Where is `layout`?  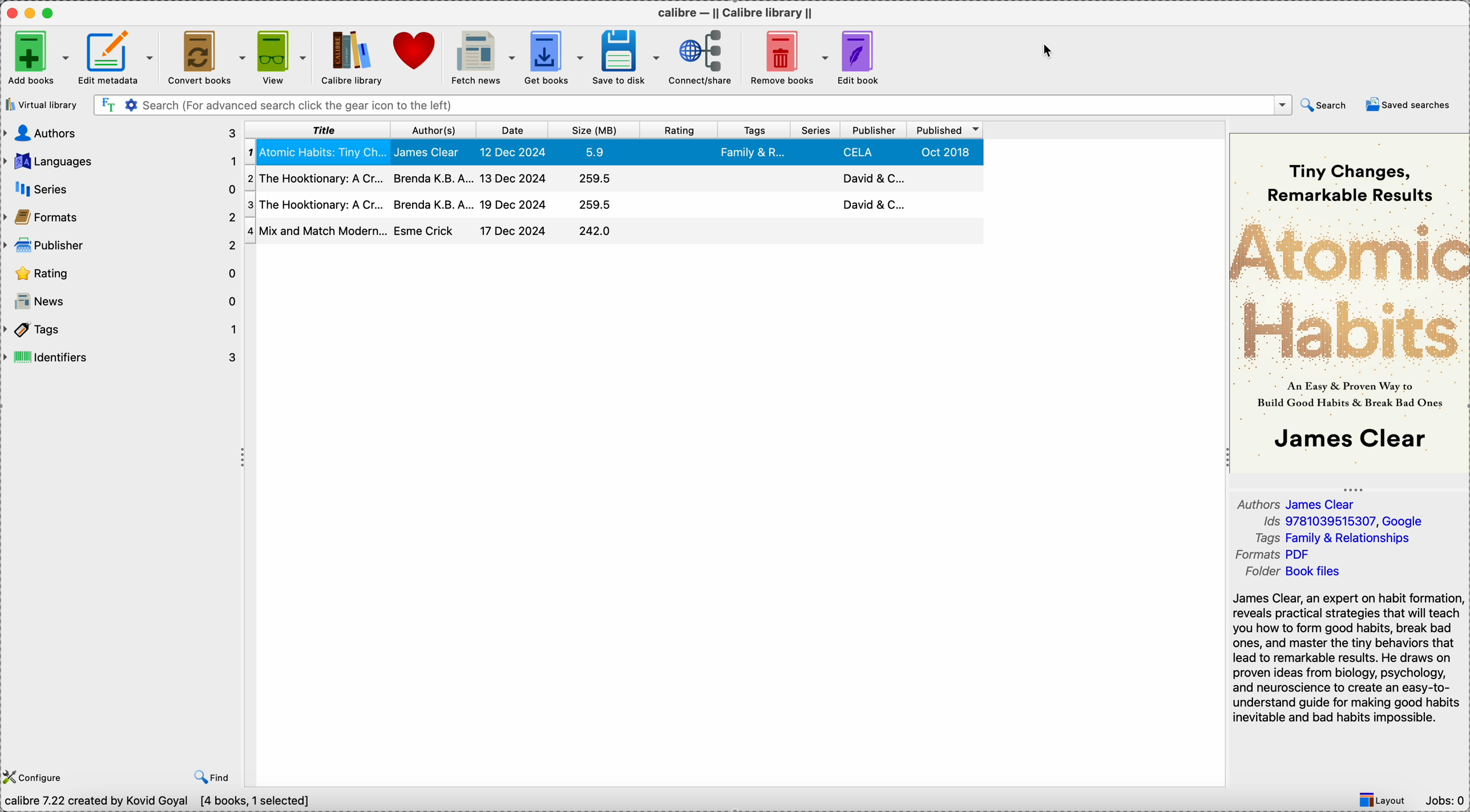
layout is located at coordinates (1386, 800).